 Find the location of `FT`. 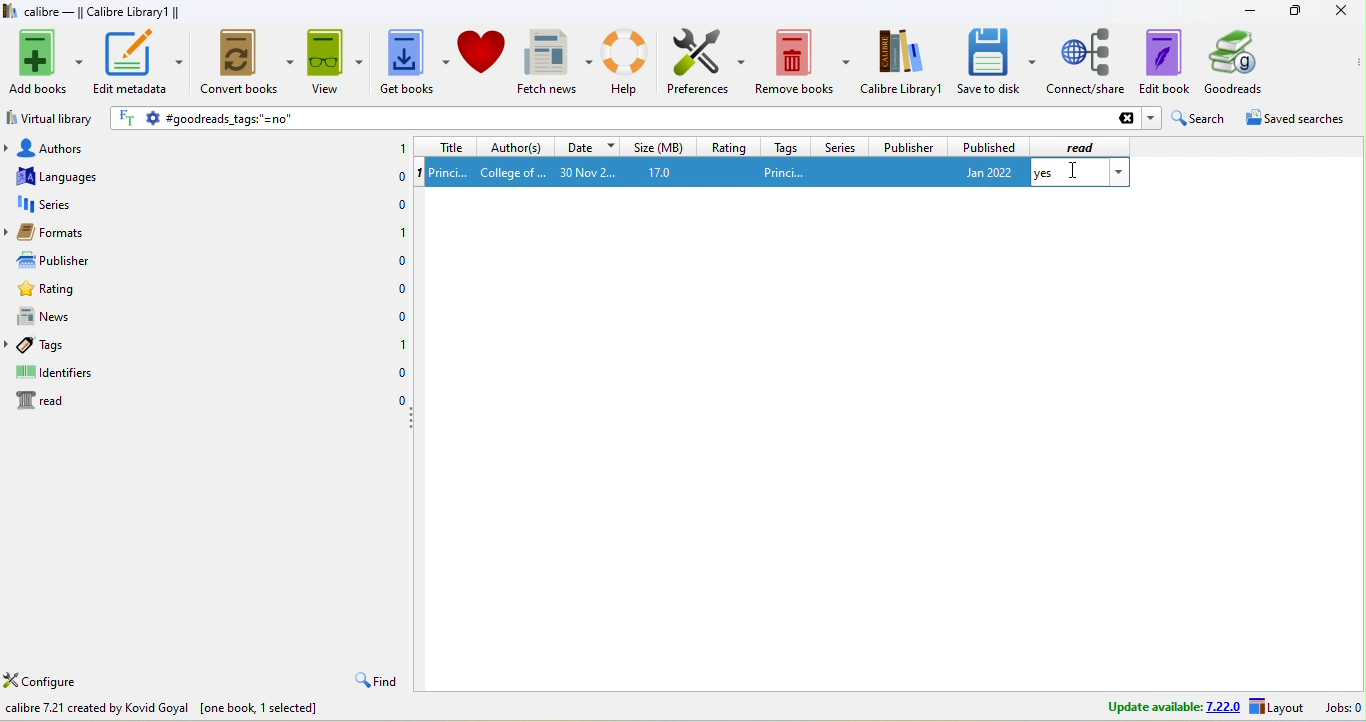

FT is located at coordinates (128, 118).